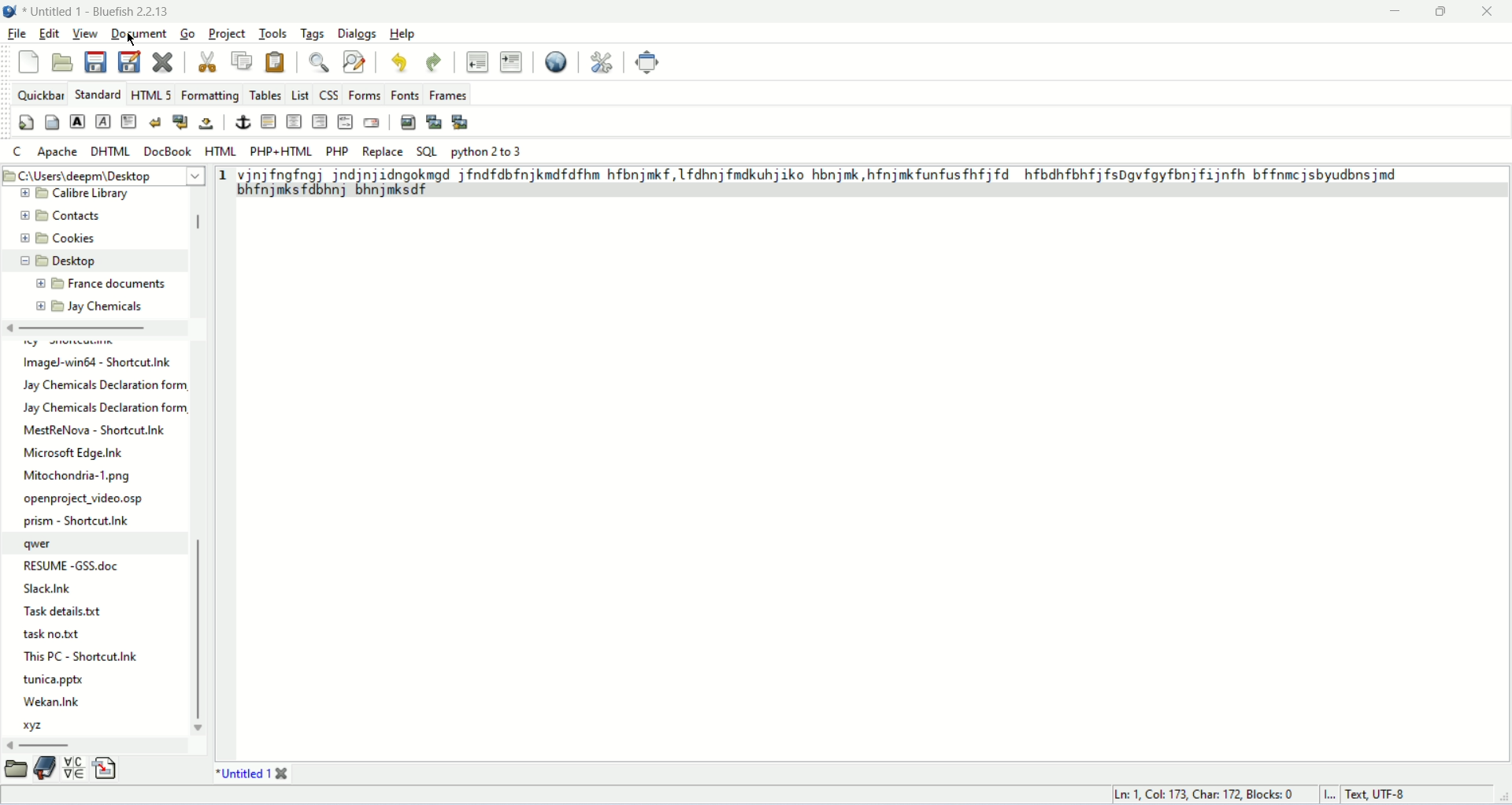 The width and height of the screenshot is (1512, 805). What do you see at coordinates (428, 150) in the screenshot?
I see `SQL` at bounding box center [428, 150].